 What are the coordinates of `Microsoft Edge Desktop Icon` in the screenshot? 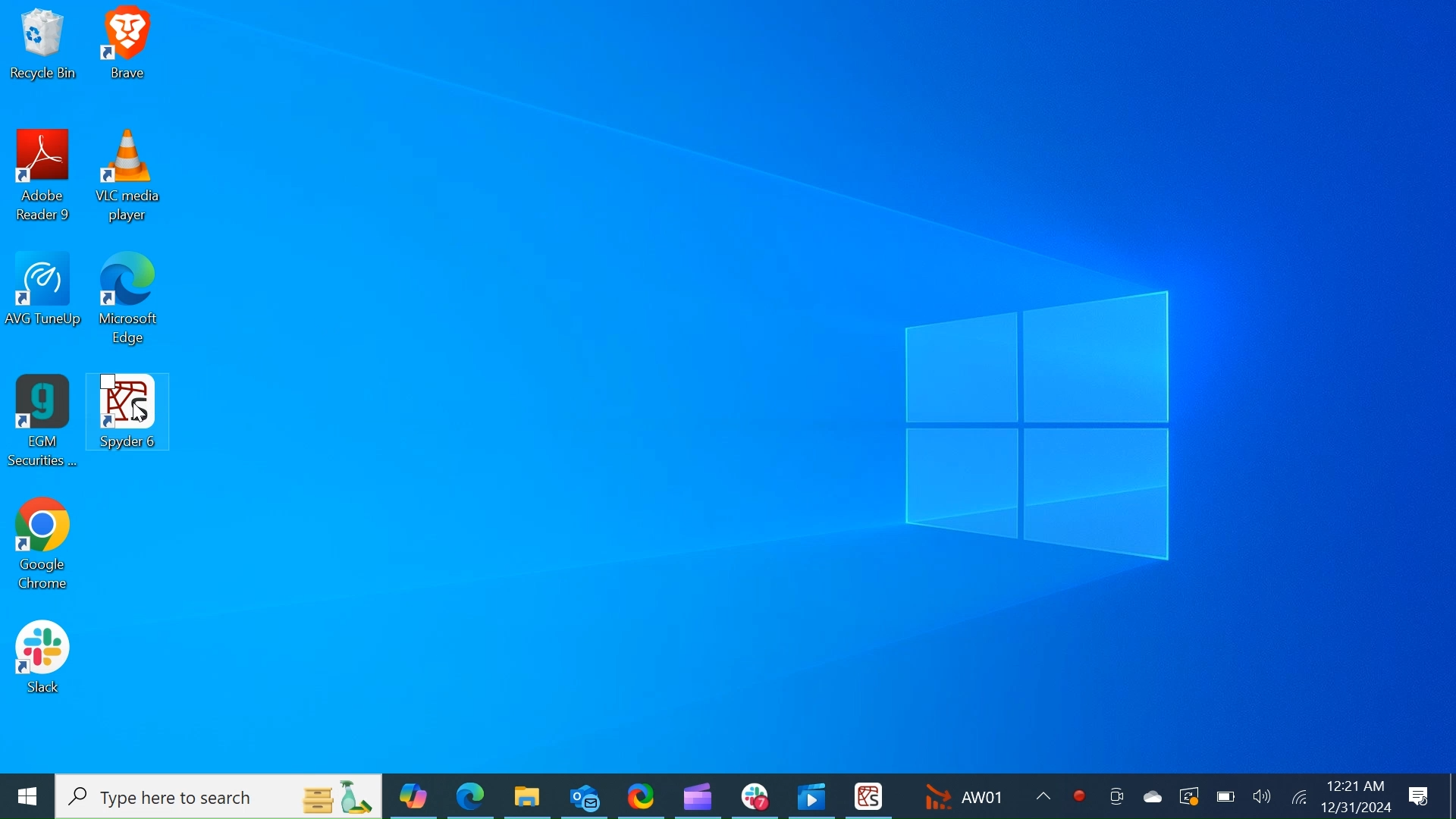 It's located at (128, 299).